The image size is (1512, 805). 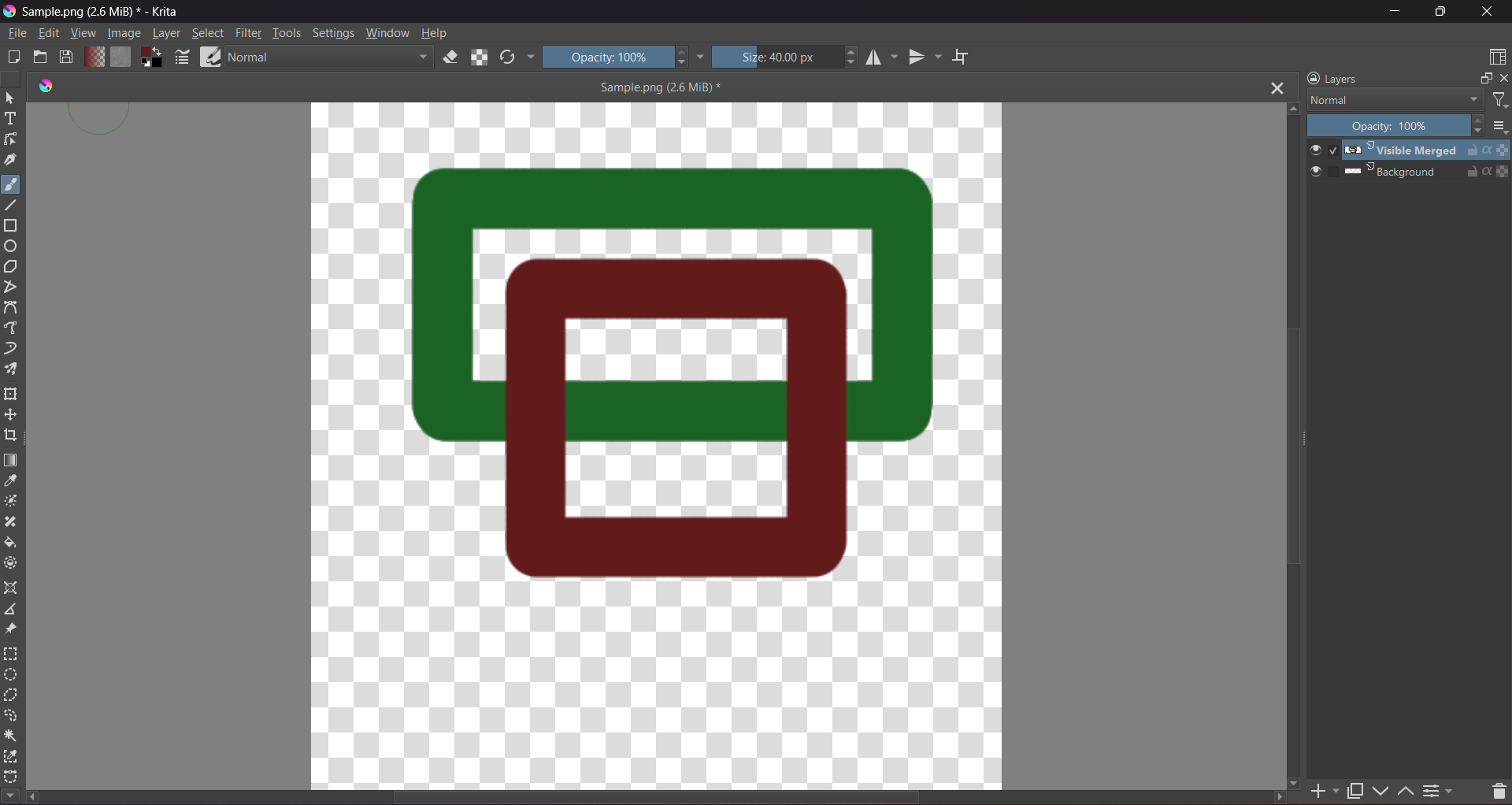 What do you see at coordinates (1294, 448) in the screenshot?
I see `Vertical Scroll Bar` at bounding box center [1294, 448].